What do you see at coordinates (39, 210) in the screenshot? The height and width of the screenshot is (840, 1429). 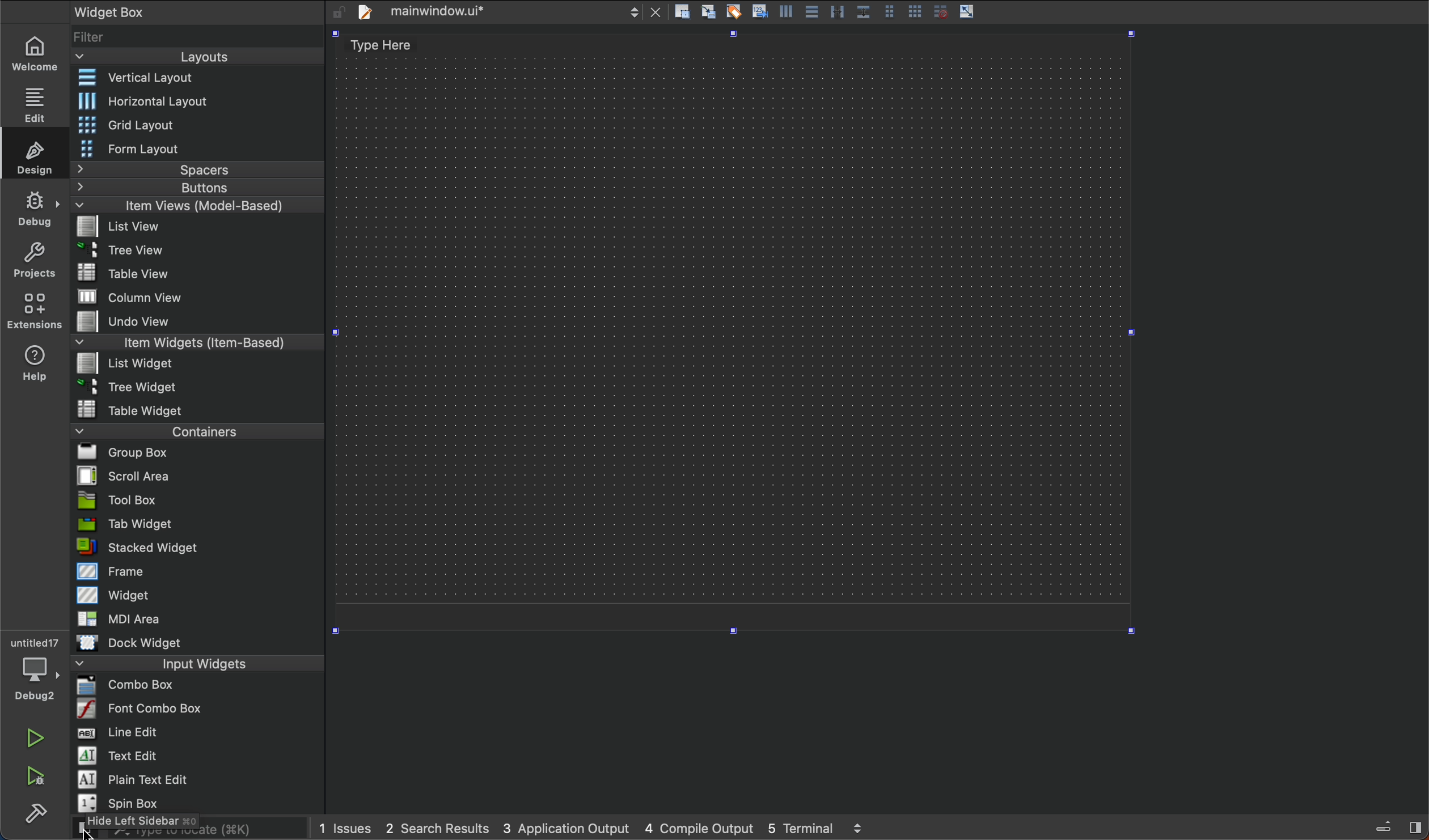 I see `debug` at bounding box center [39, 210].